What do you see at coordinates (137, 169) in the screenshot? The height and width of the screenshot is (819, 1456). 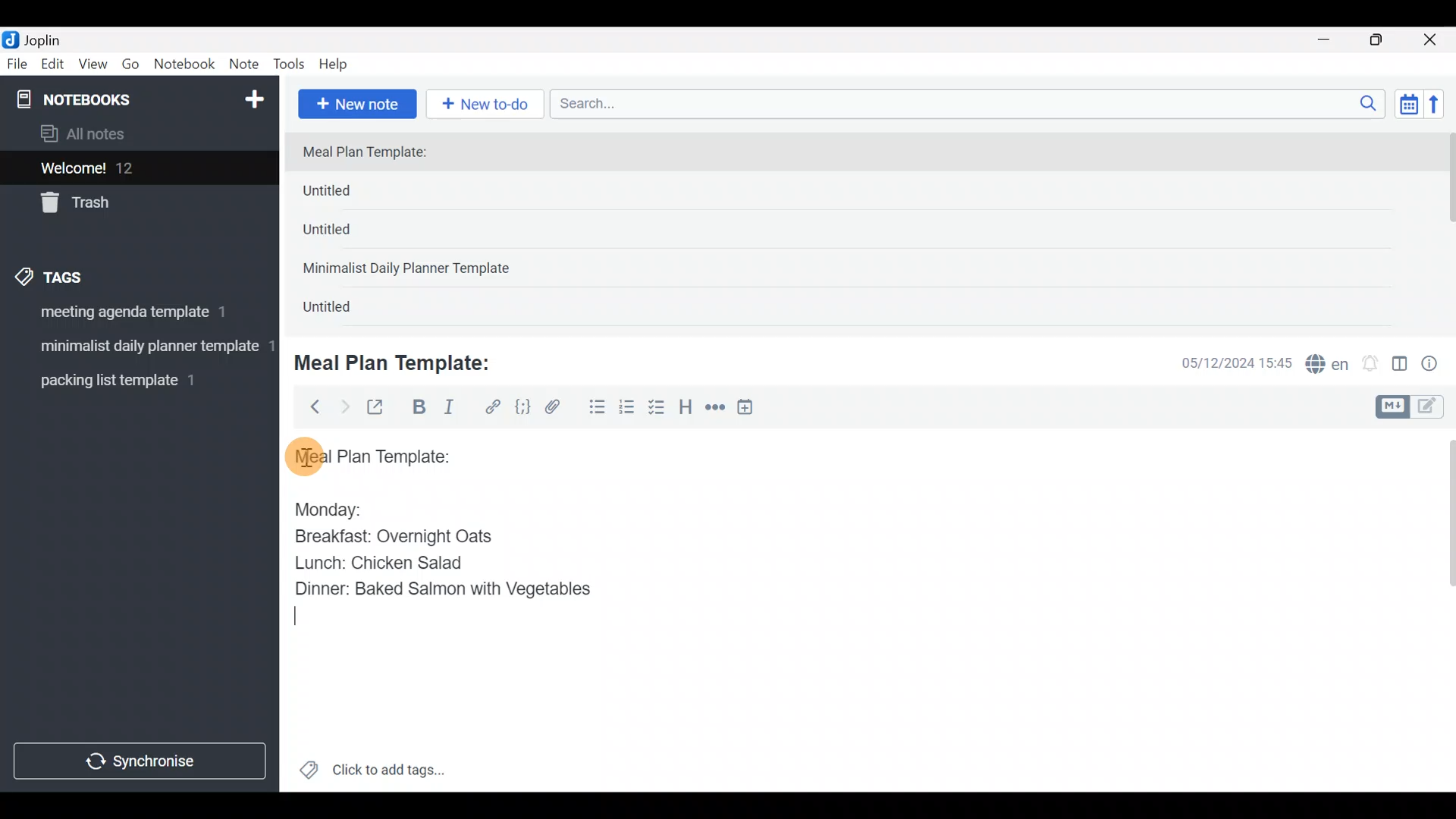 I see `Welcome!` at bounding box center [137, 169].